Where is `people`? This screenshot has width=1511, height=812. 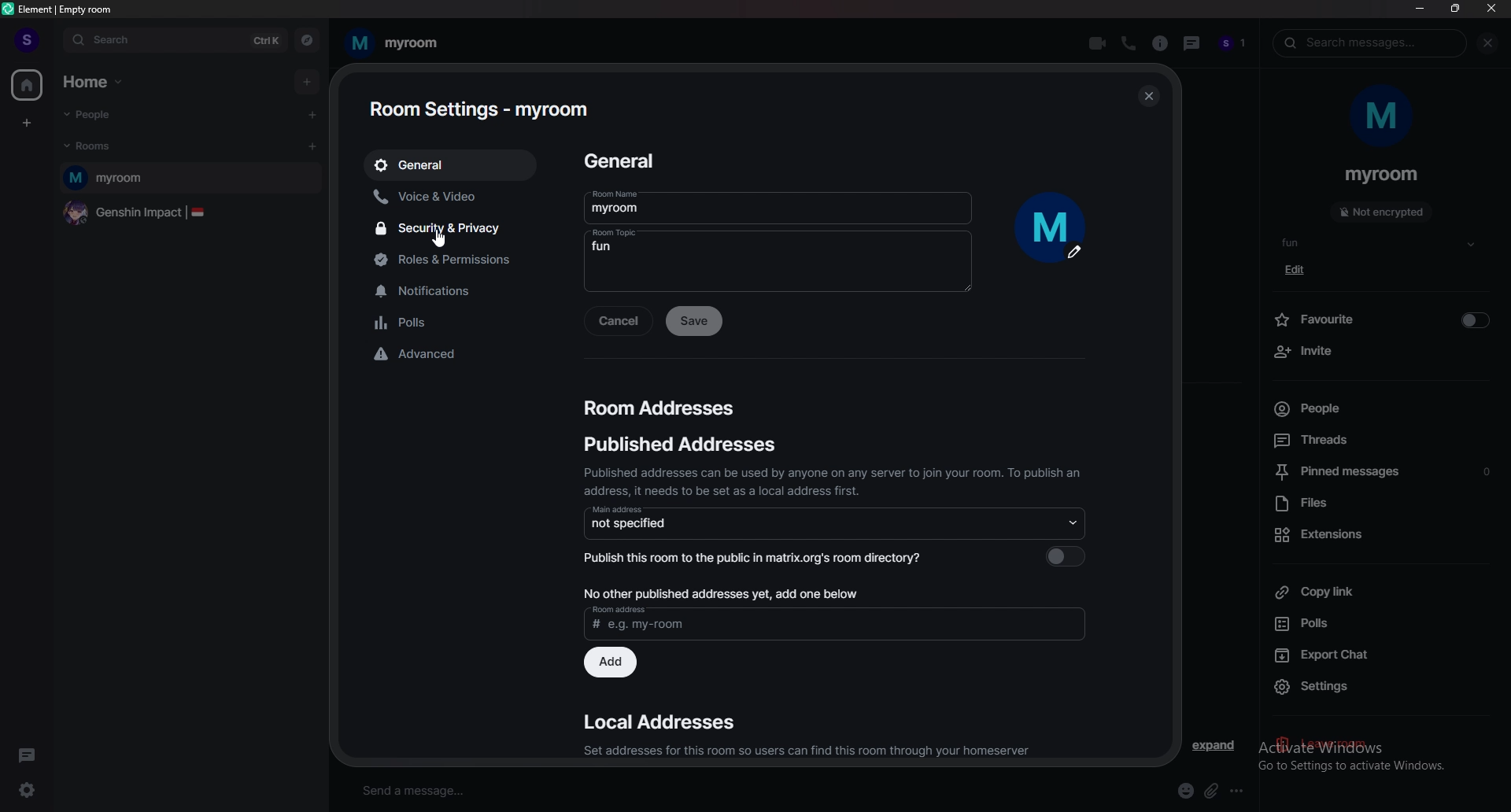 people is located at coordinates (1381, 408).